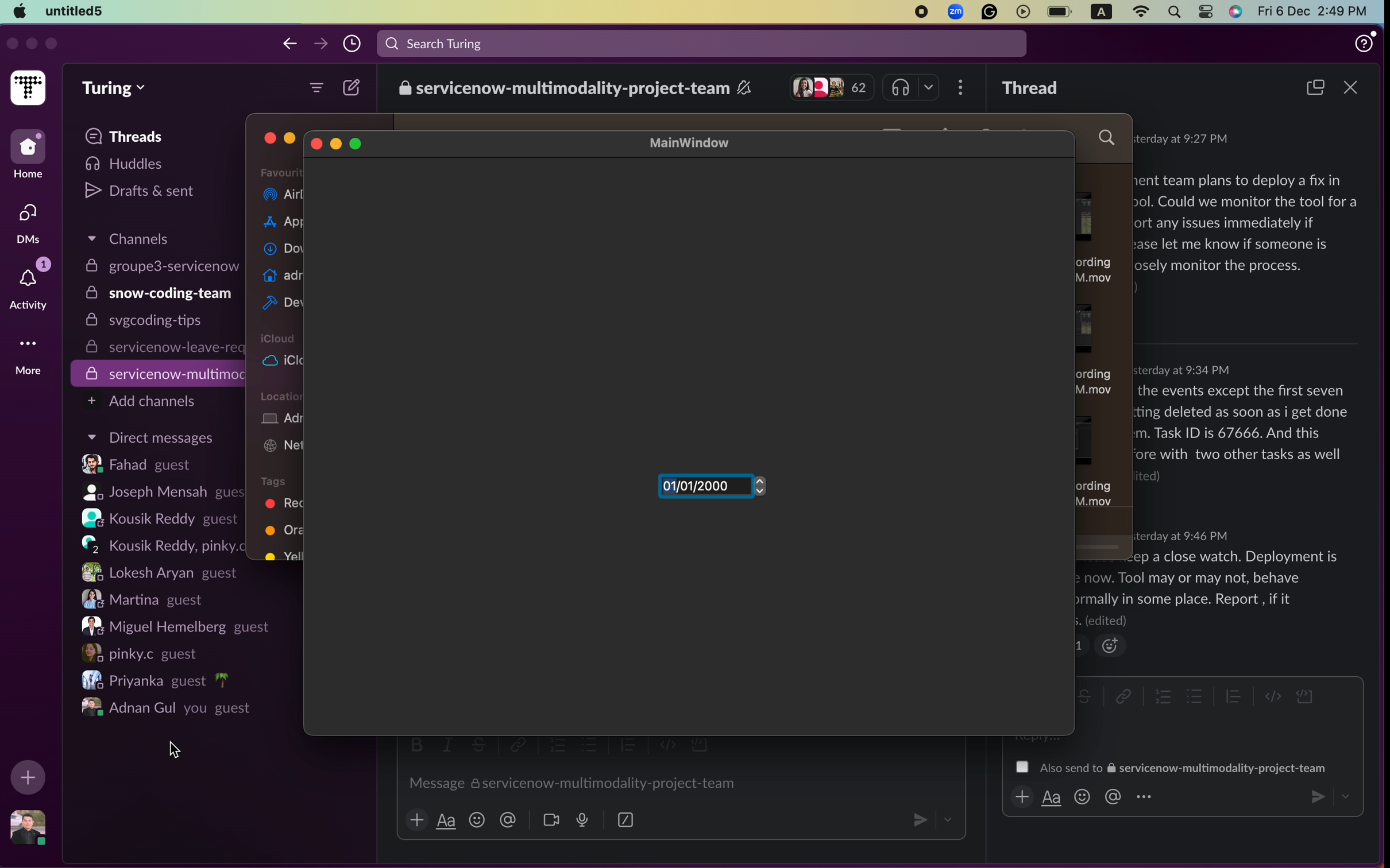 This screenshot has height=868, width=1390. Describe the element at coordinates (949, 821) in the screenshot. I see `down` at that location.